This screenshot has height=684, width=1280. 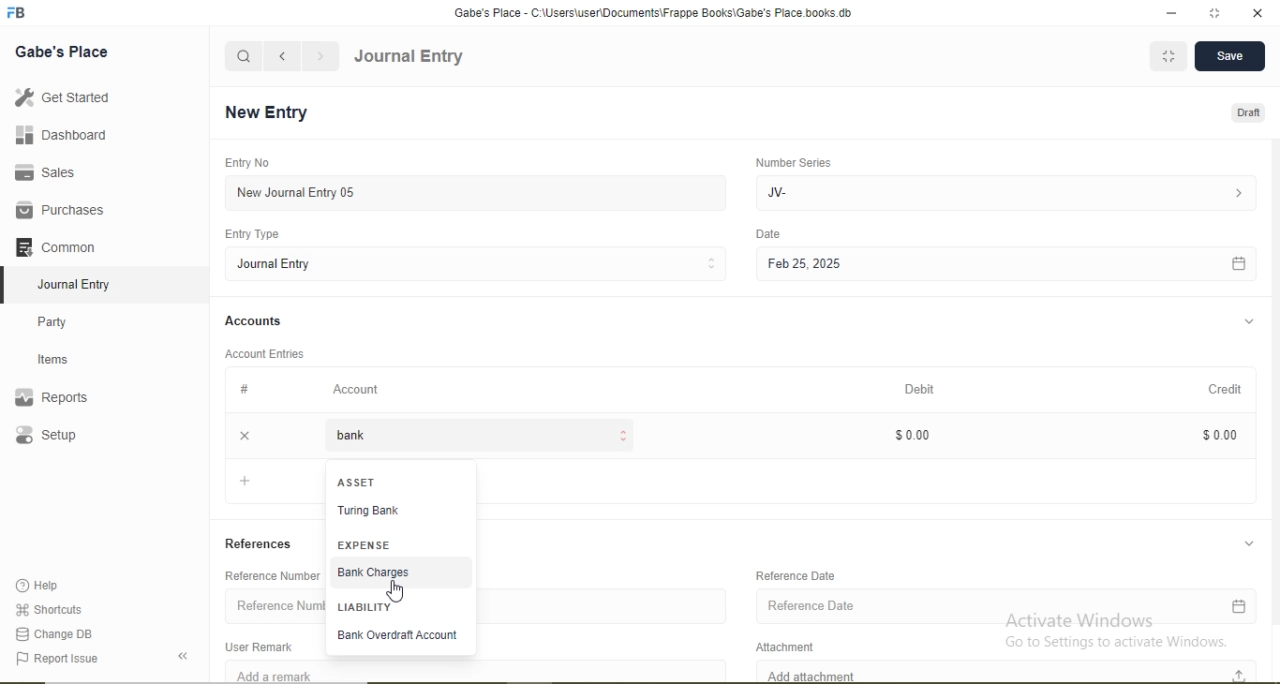 What do you see at coordinates (1234, 322) in the screenshot?
I see `collapse/expand` at bounding box center [1234, 322].